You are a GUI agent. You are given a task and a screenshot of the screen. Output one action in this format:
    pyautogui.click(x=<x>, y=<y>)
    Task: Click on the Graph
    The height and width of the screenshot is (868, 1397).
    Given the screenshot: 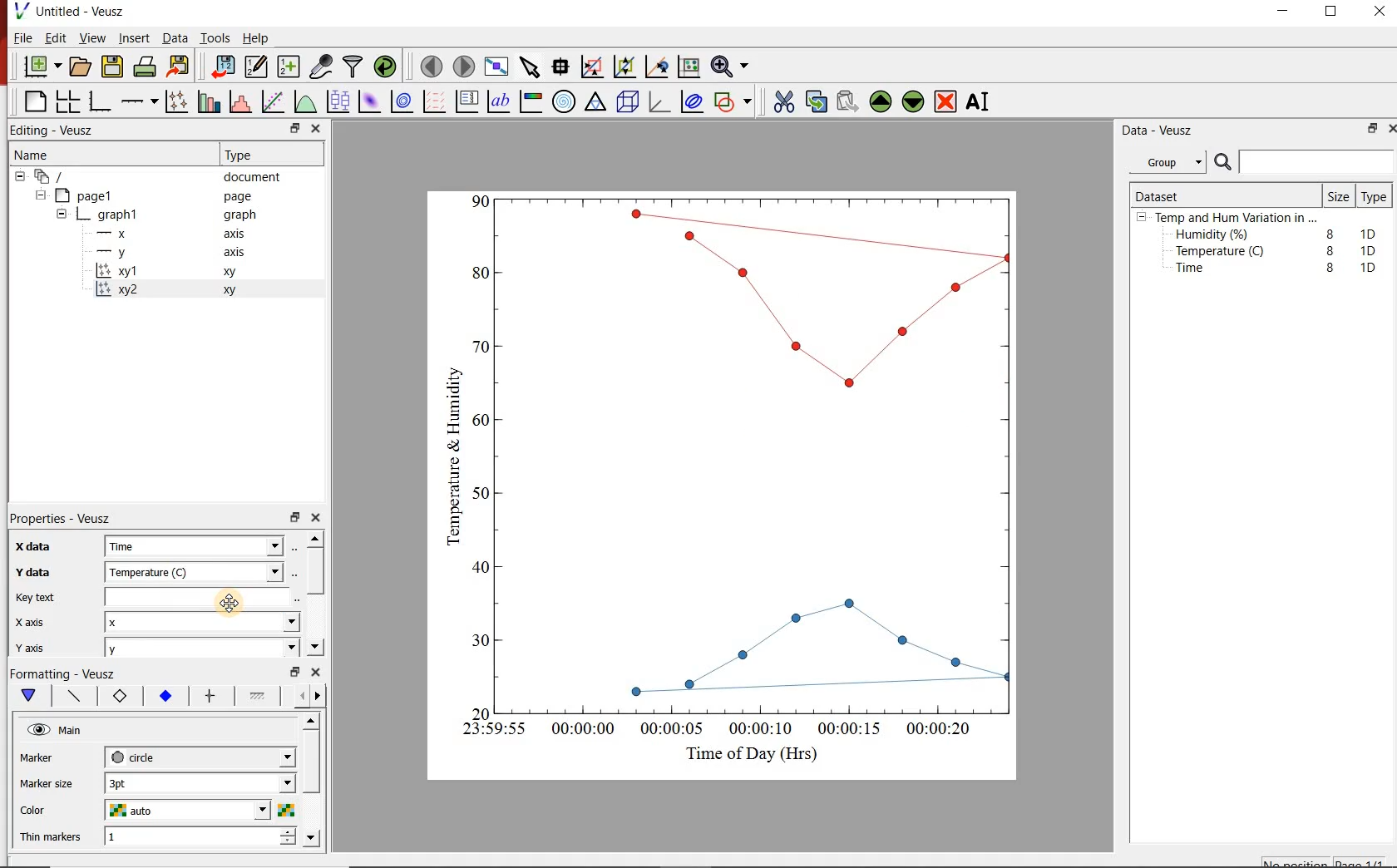 What is the action you would take?
    pyautogui.click(x=758, y=451)
    